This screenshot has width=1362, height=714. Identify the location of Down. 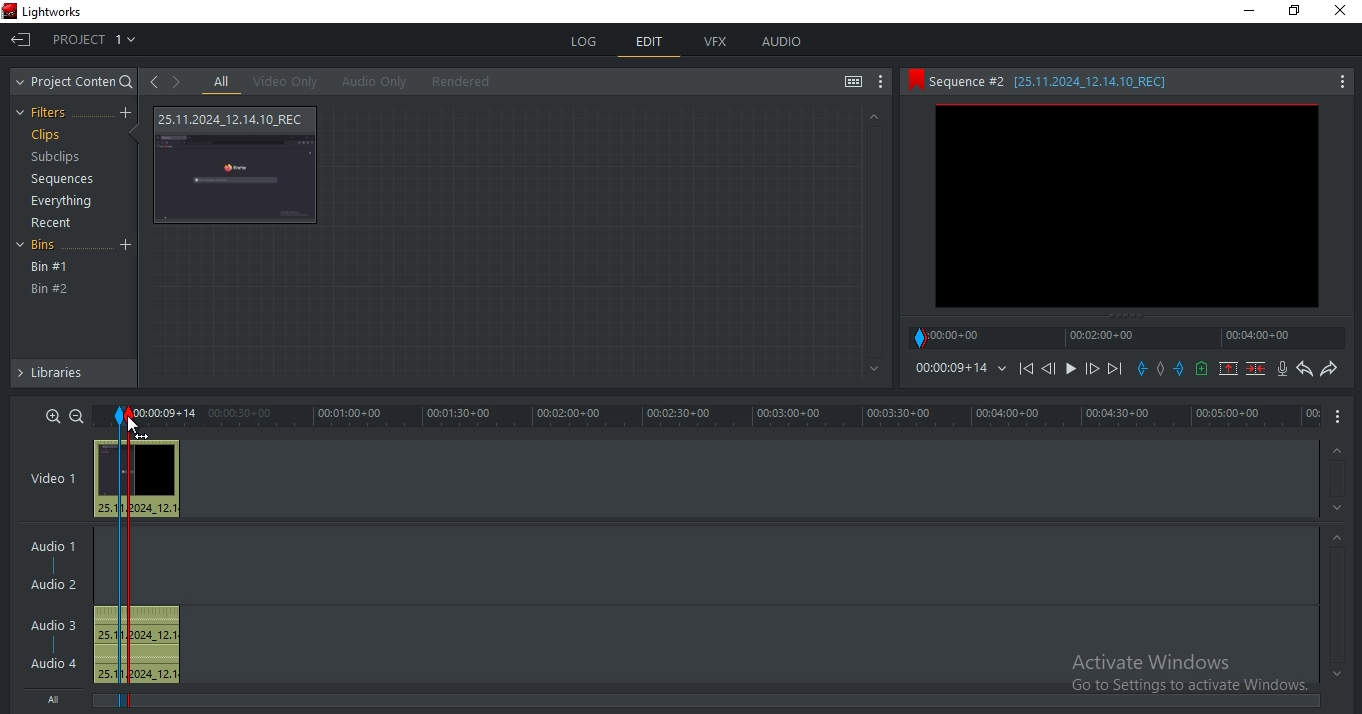
(1338, 508).